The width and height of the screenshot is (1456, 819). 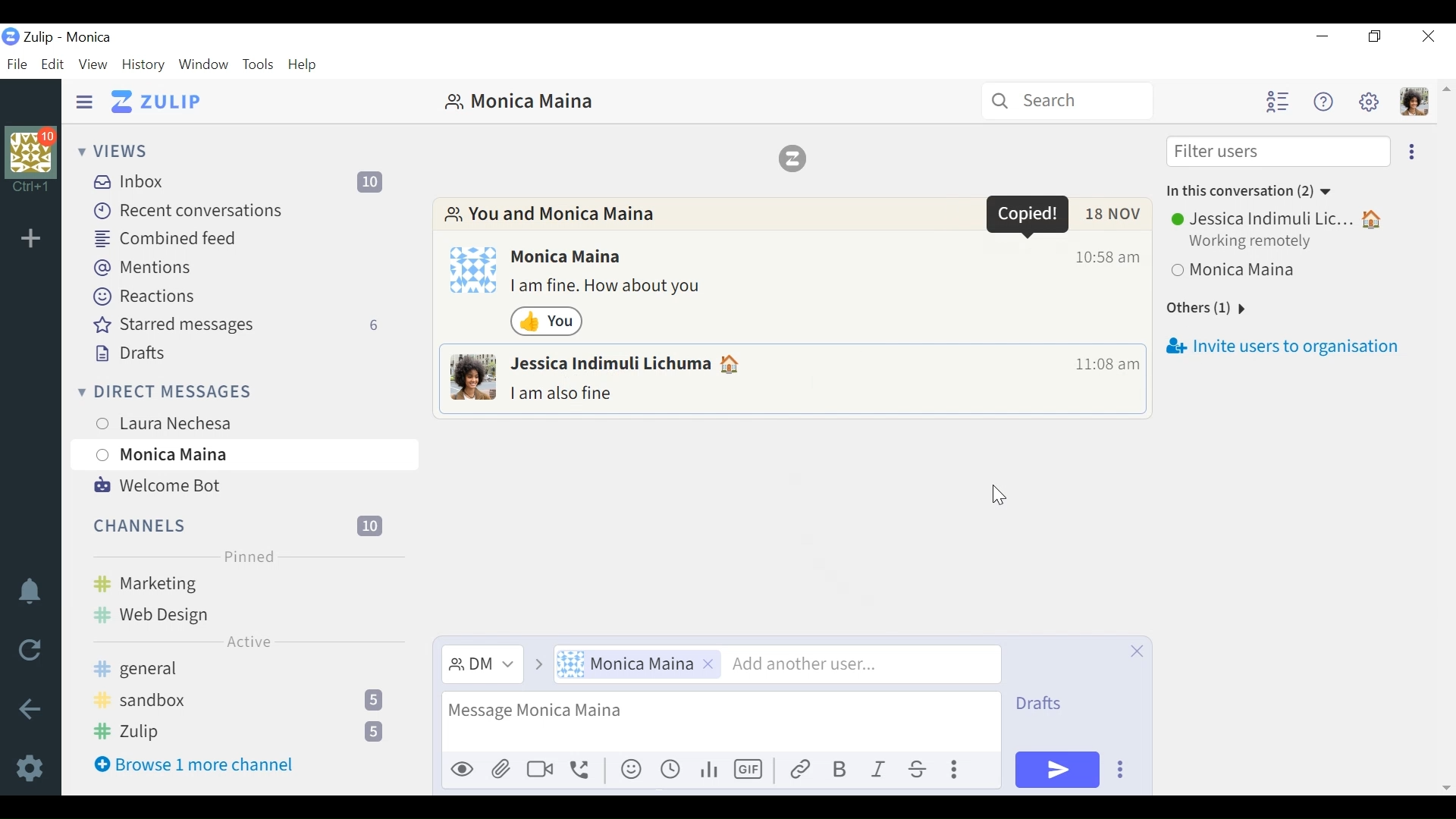 What do you see at coordinates (1426, 38) in the screenshot?
I see `Close` at bounding box center [1426, 38].